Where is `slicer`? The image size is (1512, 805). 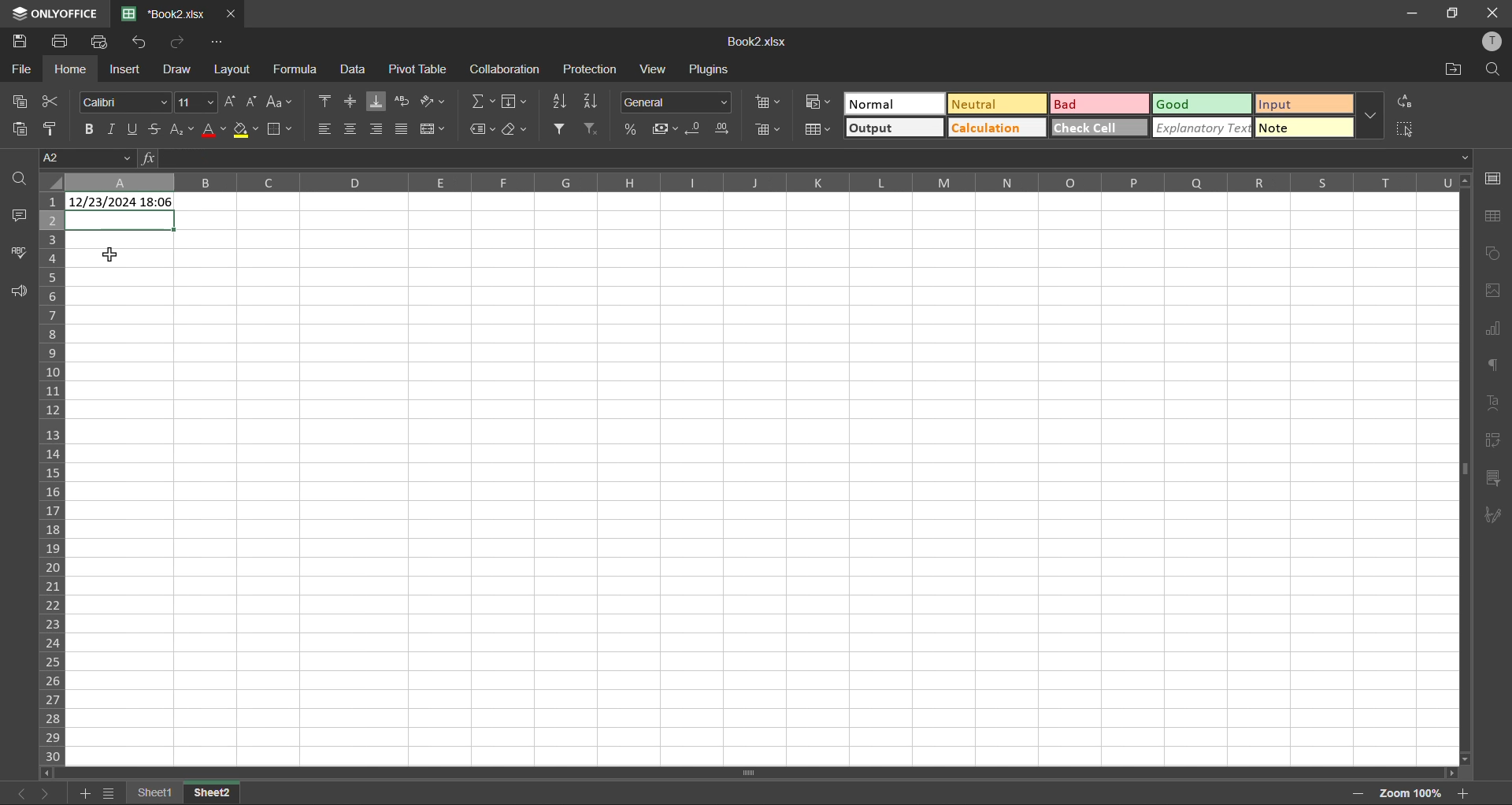 slicer is located at coordinates (1492, 478).